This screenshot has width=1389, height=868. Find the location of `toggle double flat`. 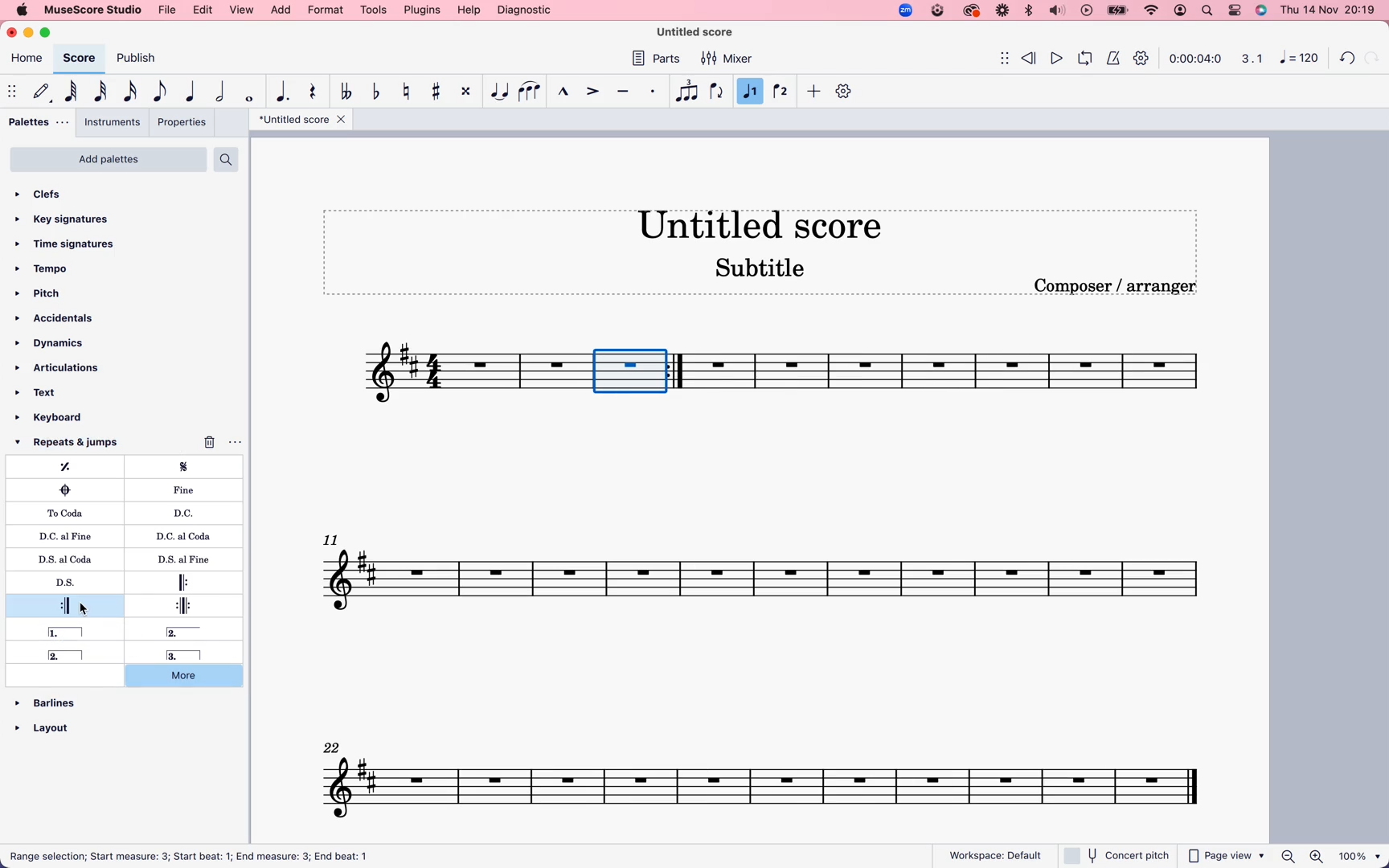

toggle double flat is located at coordinates (348, 92).